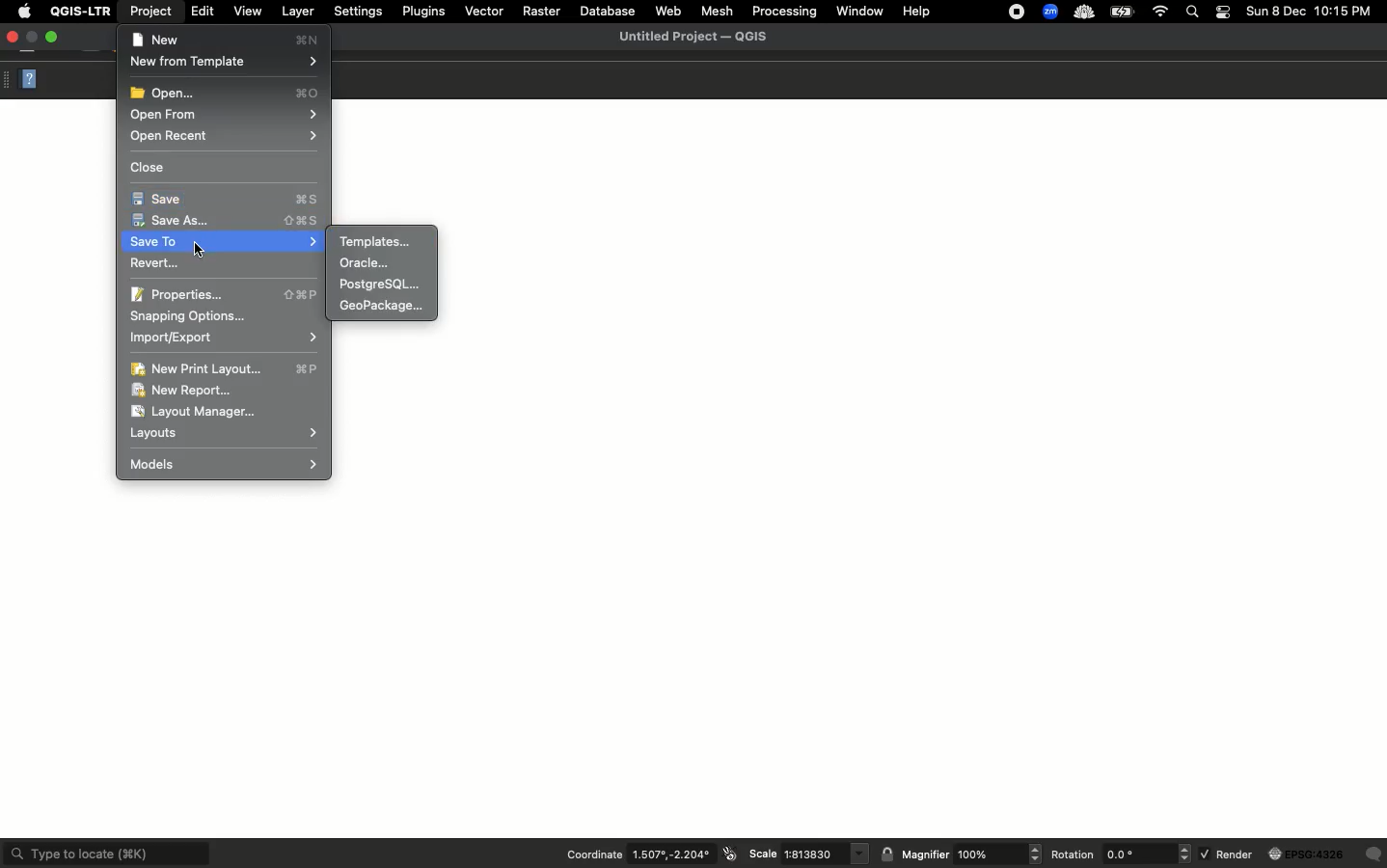 Image resolution: width=1387 pixels, height=868 pixels. I want to click on Database, so click(610, 10).